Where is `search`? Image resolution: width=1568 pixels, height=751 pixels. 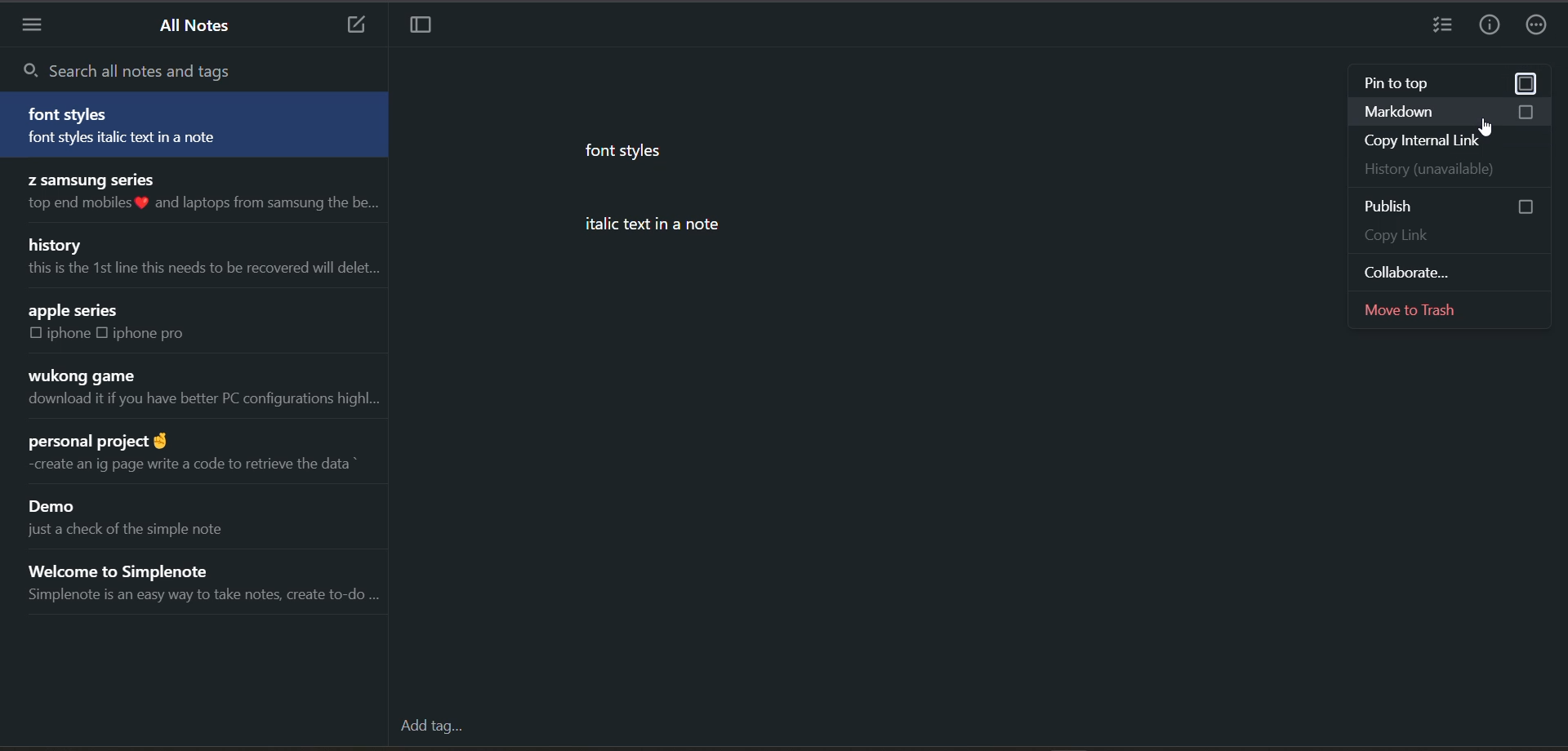 search is located at coordinates (152, 68).